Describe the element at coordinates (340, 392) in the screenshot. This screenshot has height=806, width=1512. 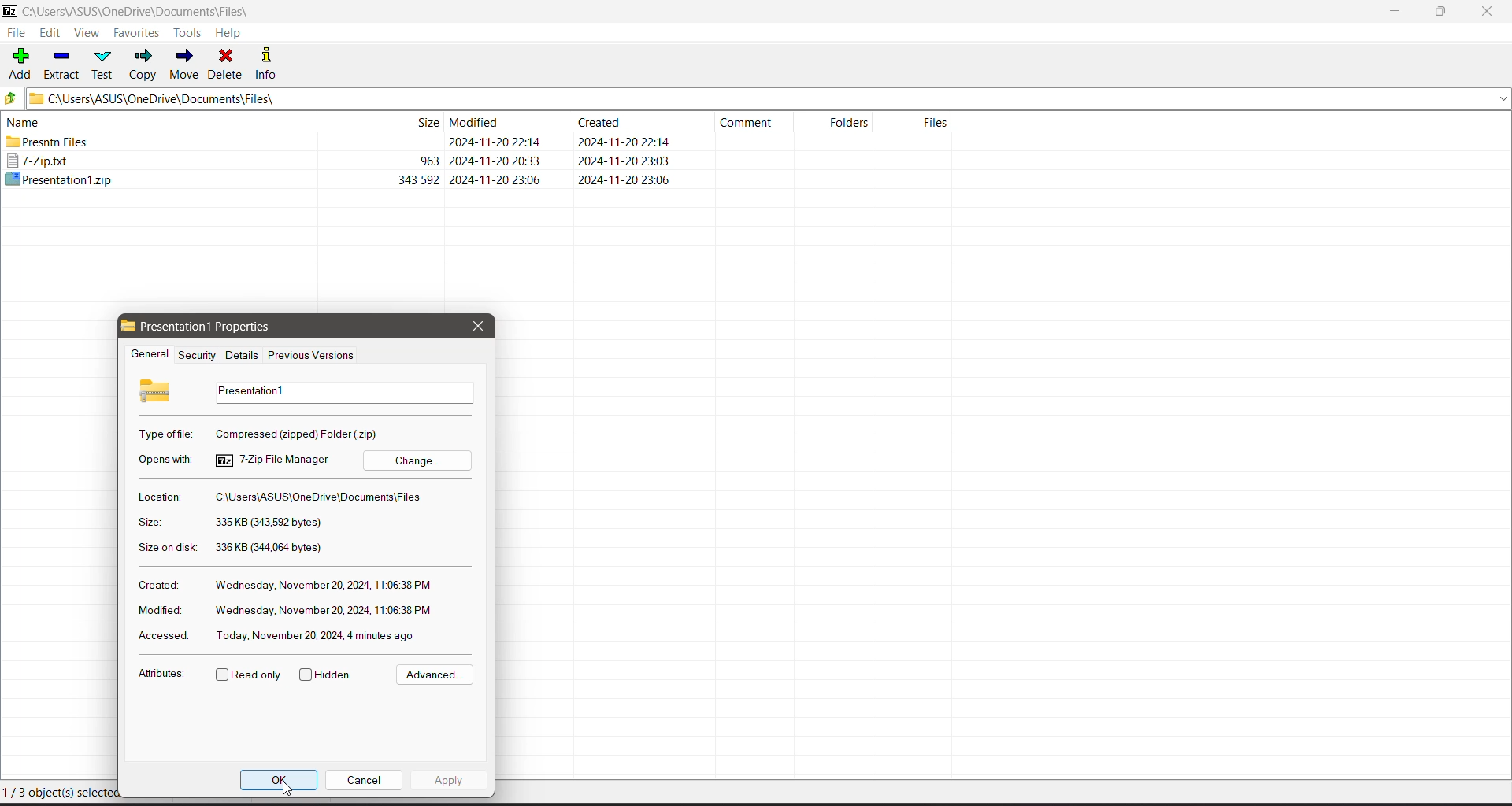
I see `Selected file name` at that location.